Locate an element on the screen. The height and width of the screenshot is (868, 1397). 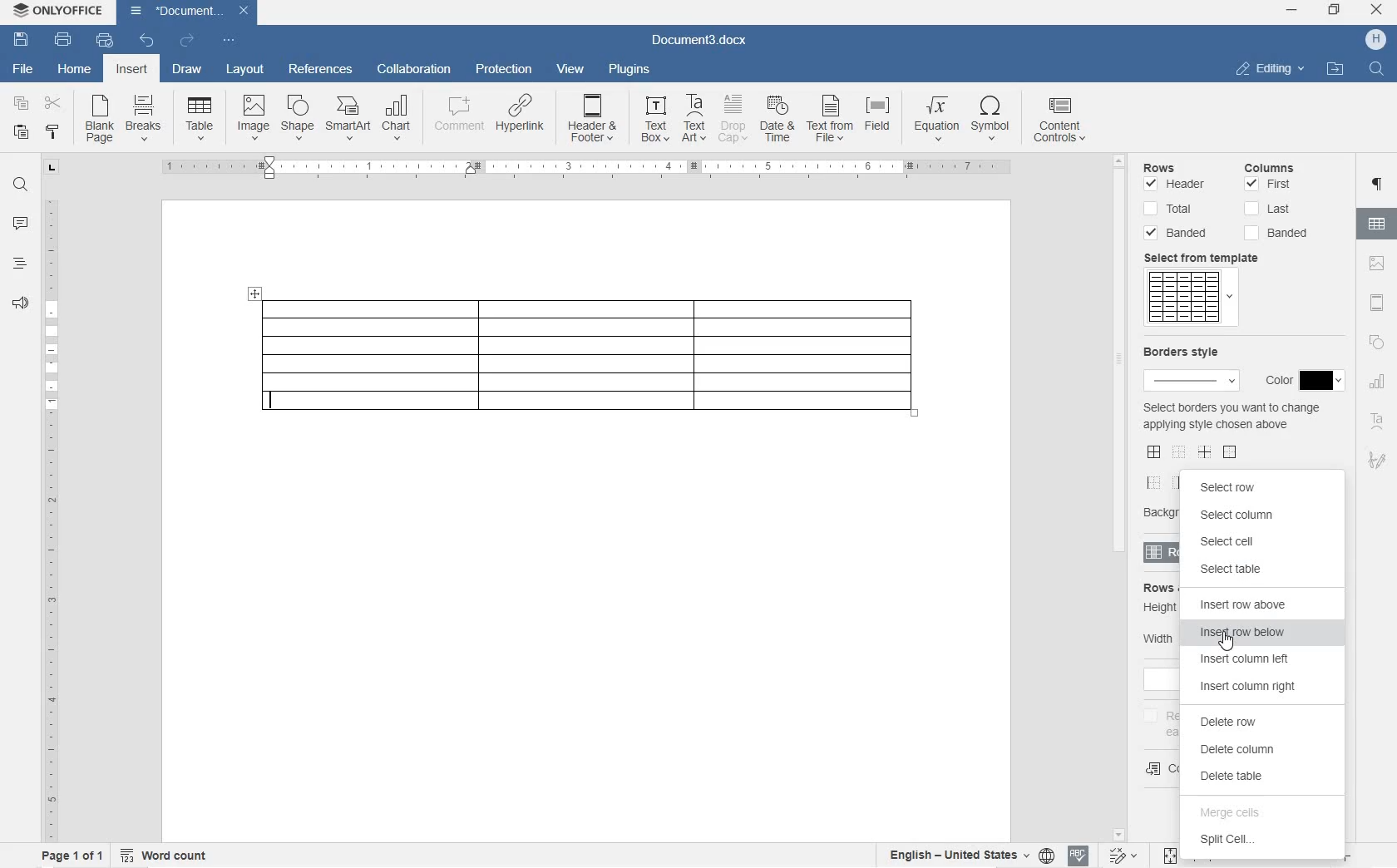
delete column is located at coordinates (1240, 750).